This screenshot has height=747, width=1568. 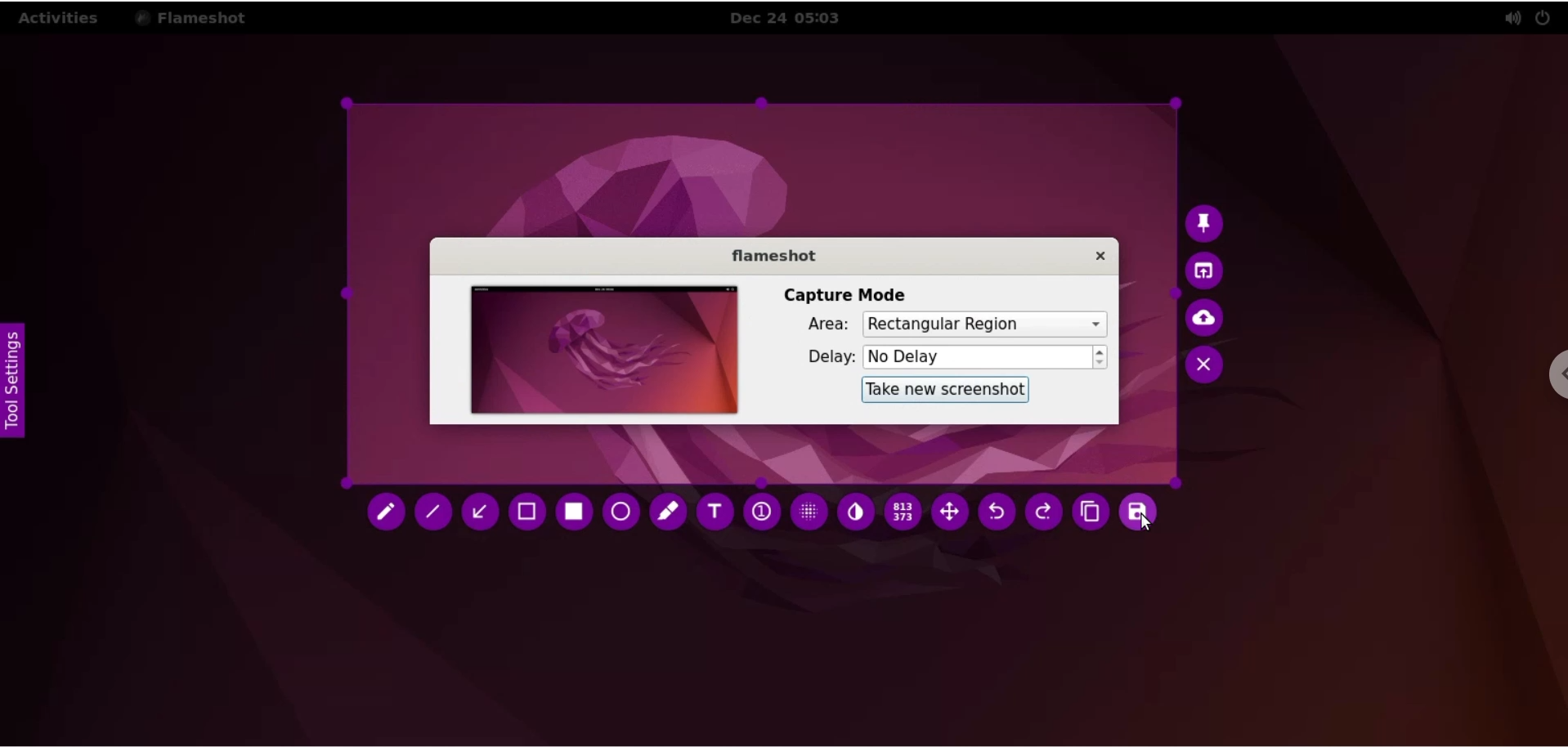 What do you see at coordinates (761, 515) in the screenshot?
I see `auto increment` at bounding box center [761, 515].